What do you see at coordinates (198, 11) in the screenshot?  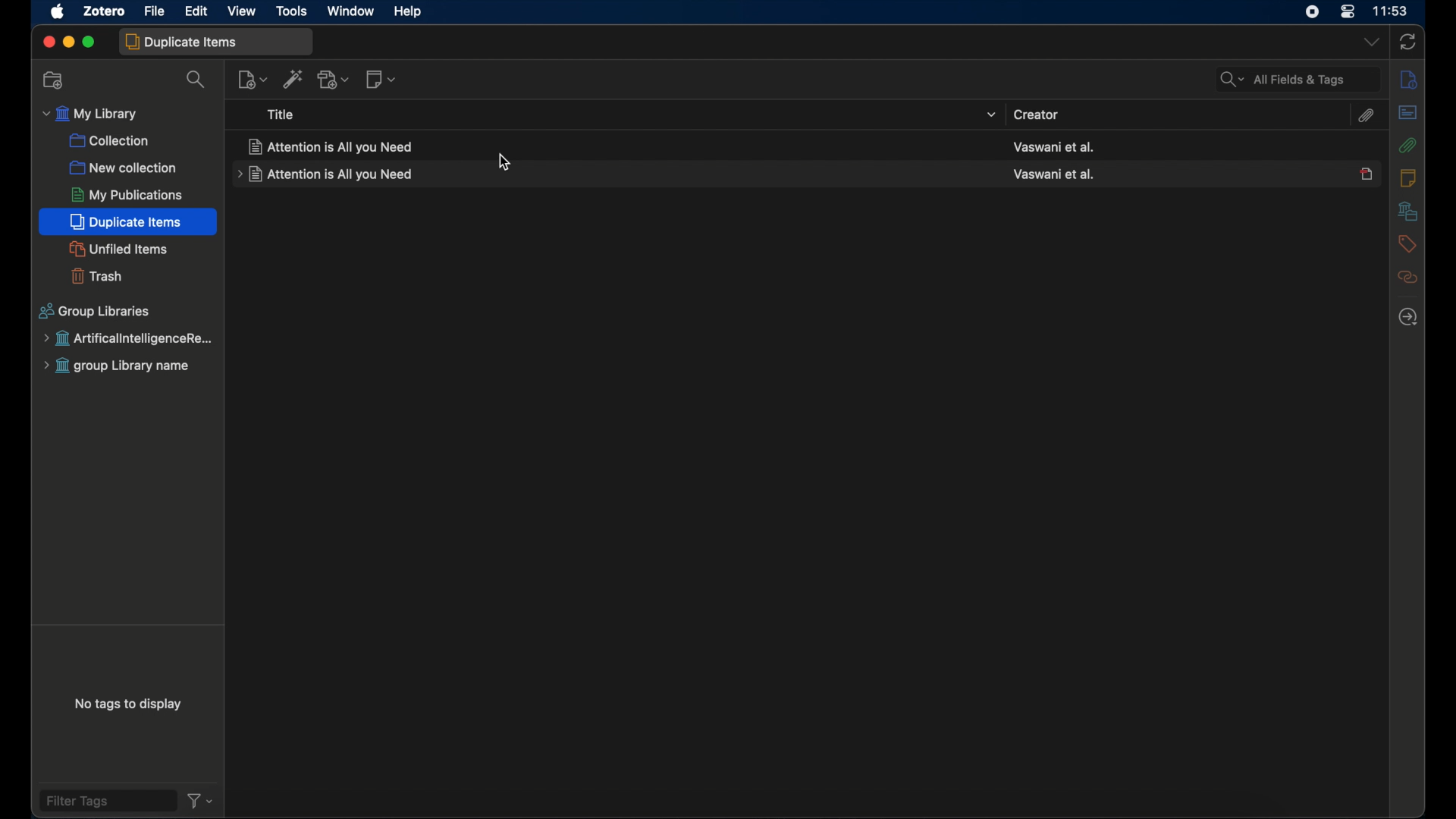 I see `edit` at bounding box center [198, 11].